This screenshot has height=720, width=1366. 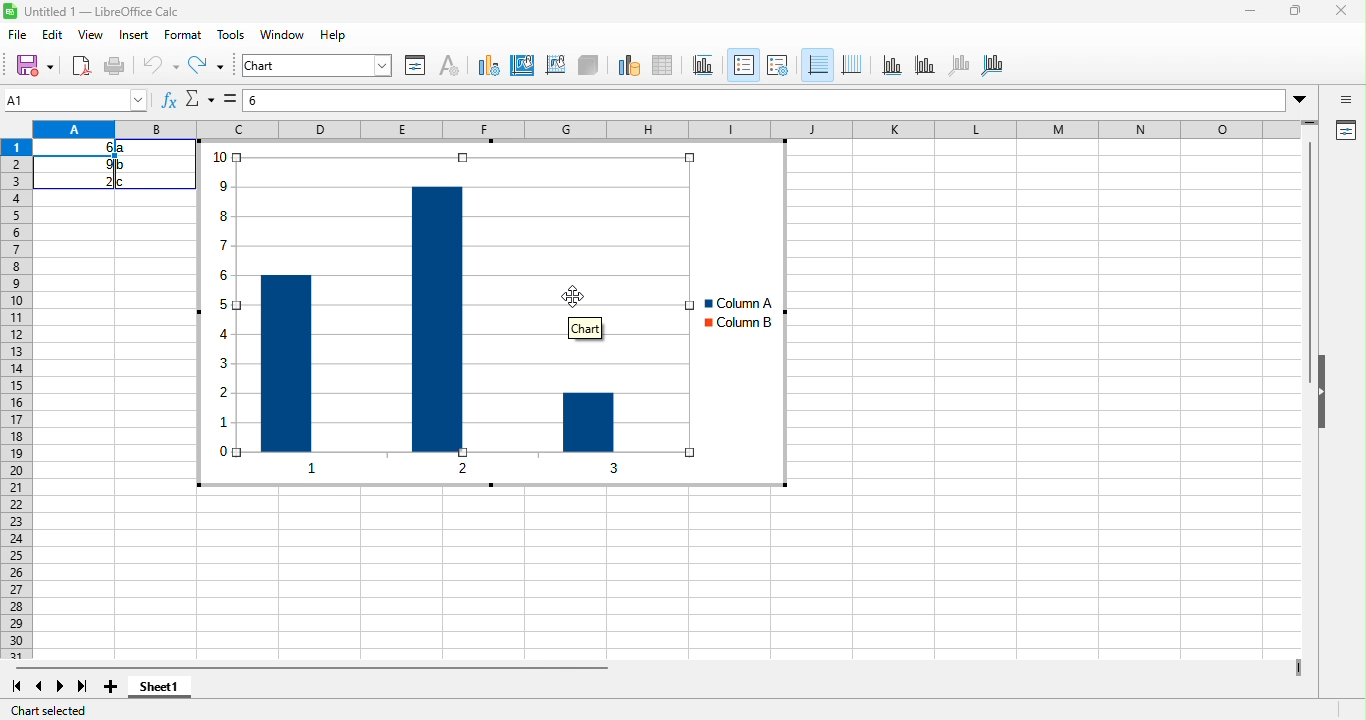 What do you see at coordinates (1294, 12) in the screenshot?
I see `maximize` at bounding box center [1294, 12].